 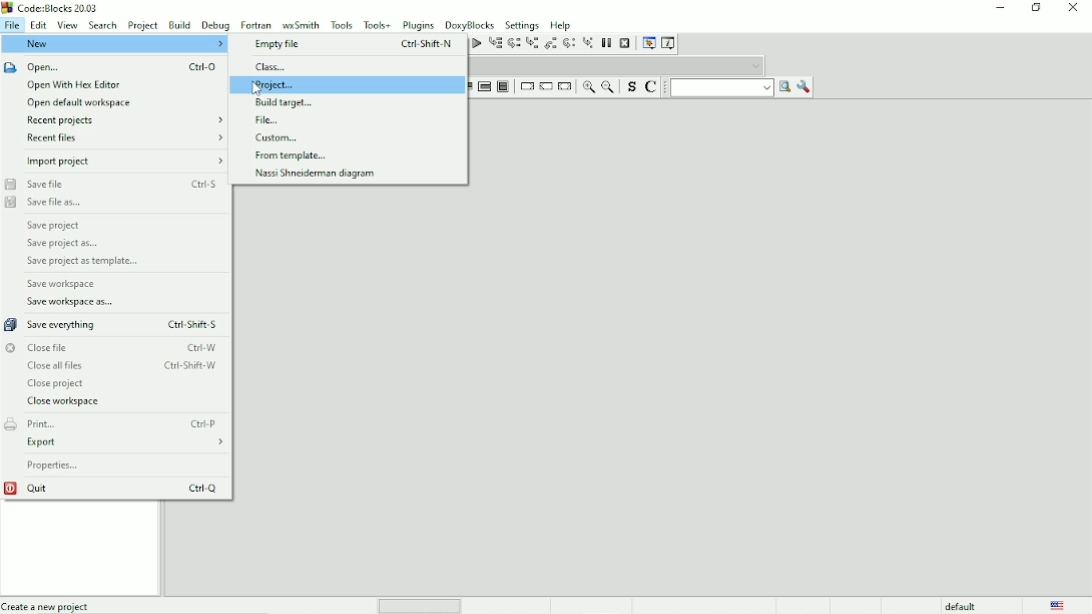 I want to click on Settings, so click(x=522, y=24).